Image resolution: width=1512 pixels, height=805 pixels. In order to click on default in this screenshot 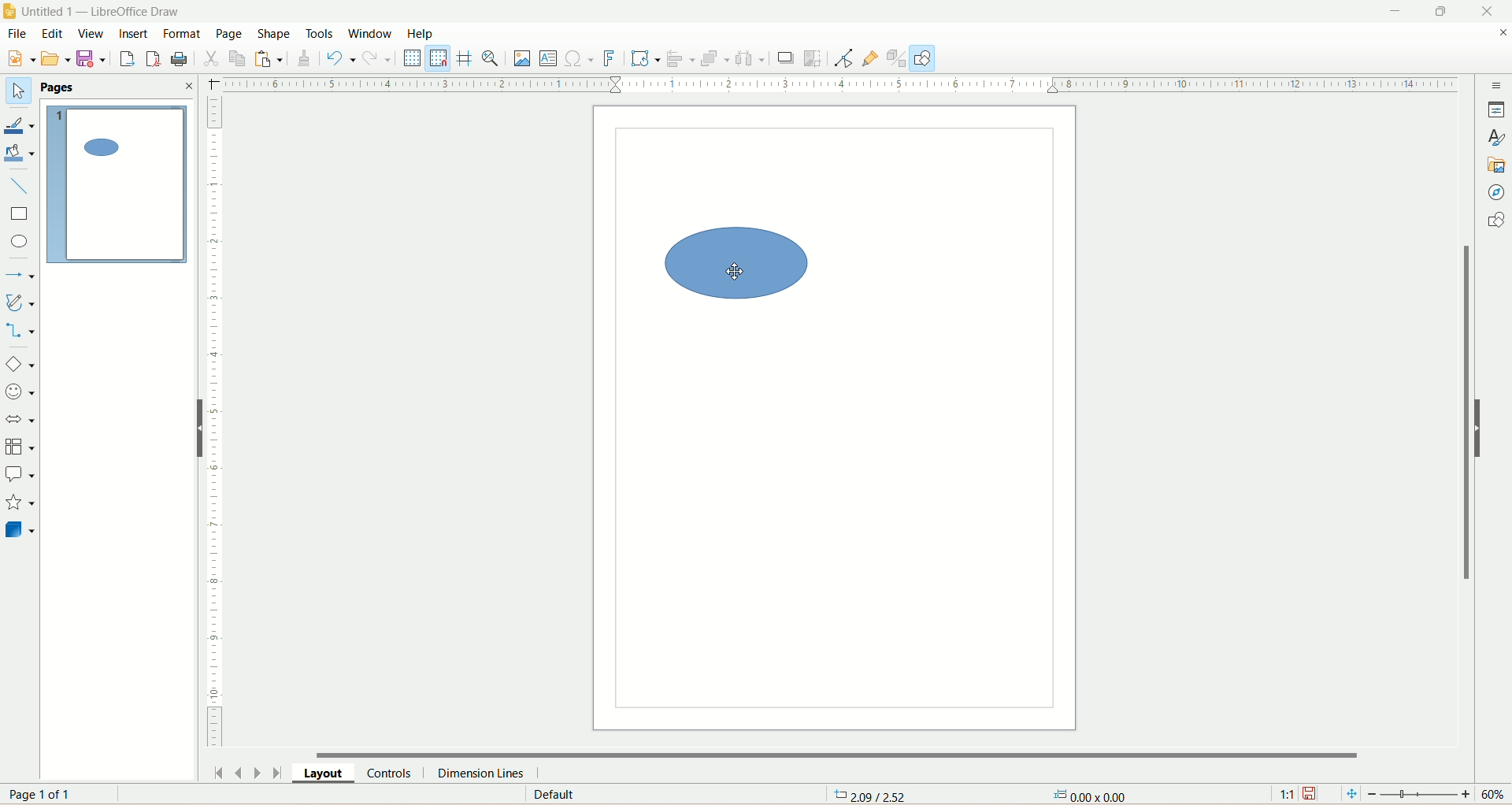, I will do `click(551, 796)`.